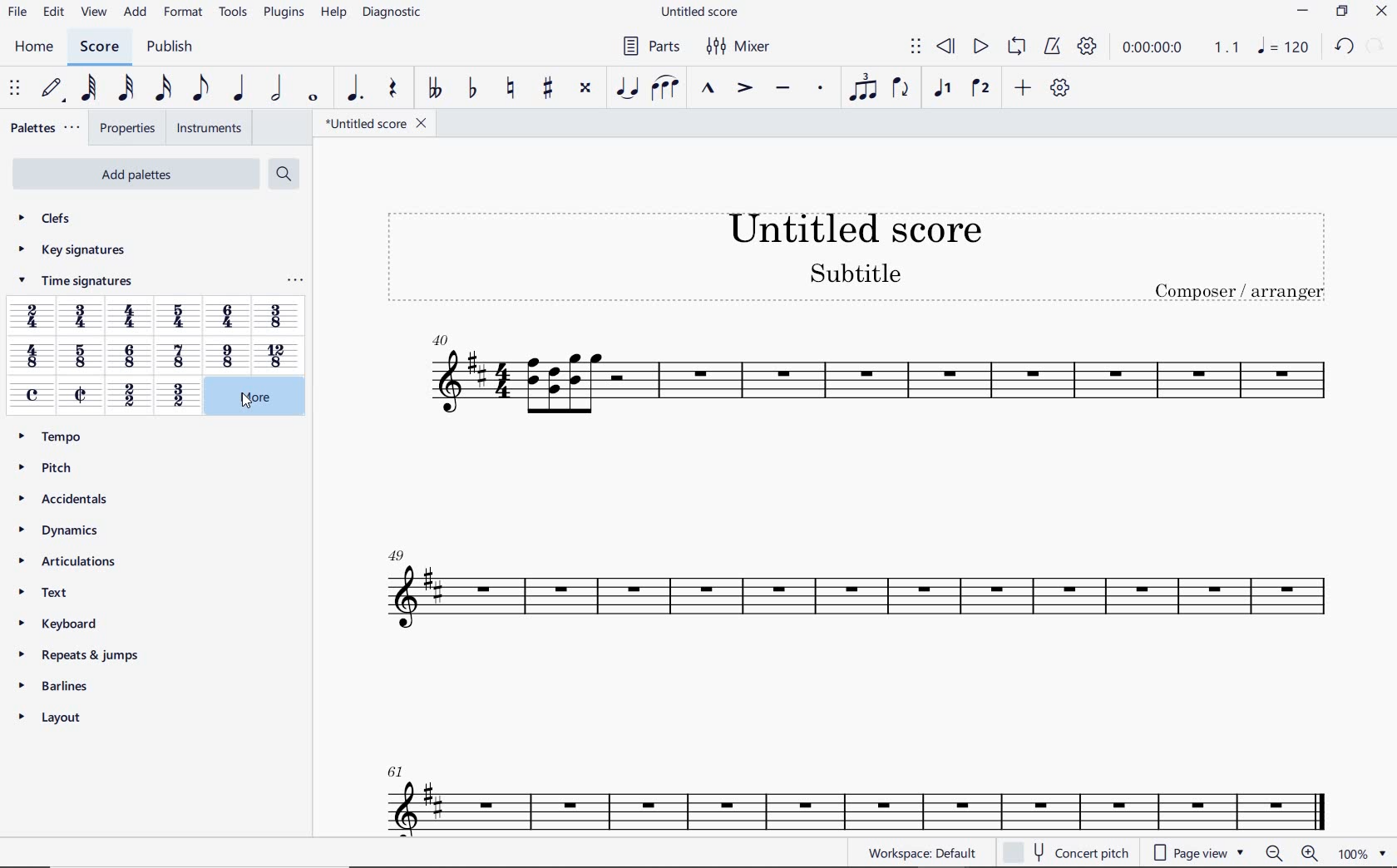 Image resolution: width=1397 pixels, height=868 pixels. I want to click on REPEATS & JUMPS, so click(81, 651).